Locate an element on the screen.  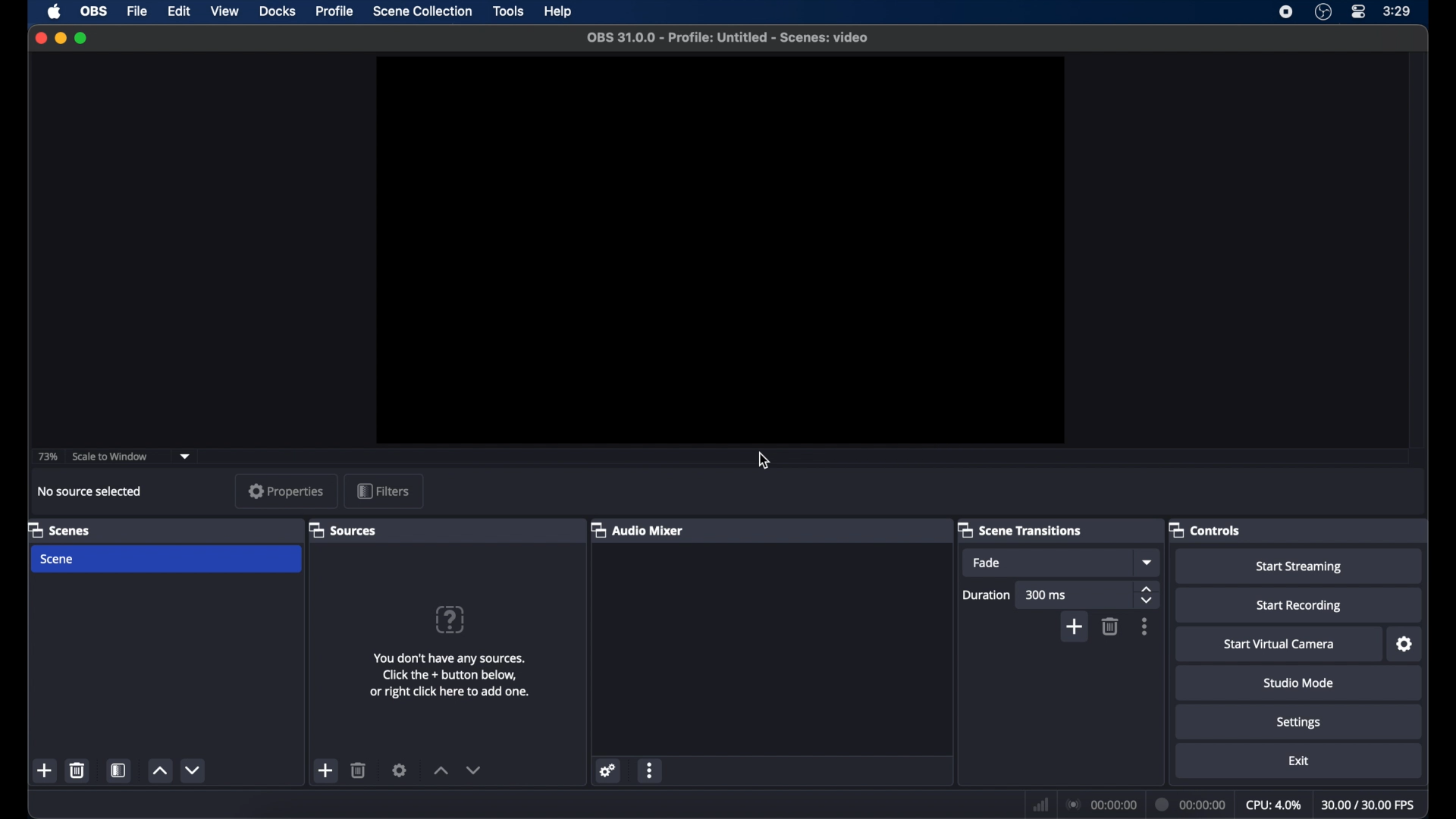
start recording is located at coordinates (1301, 606).